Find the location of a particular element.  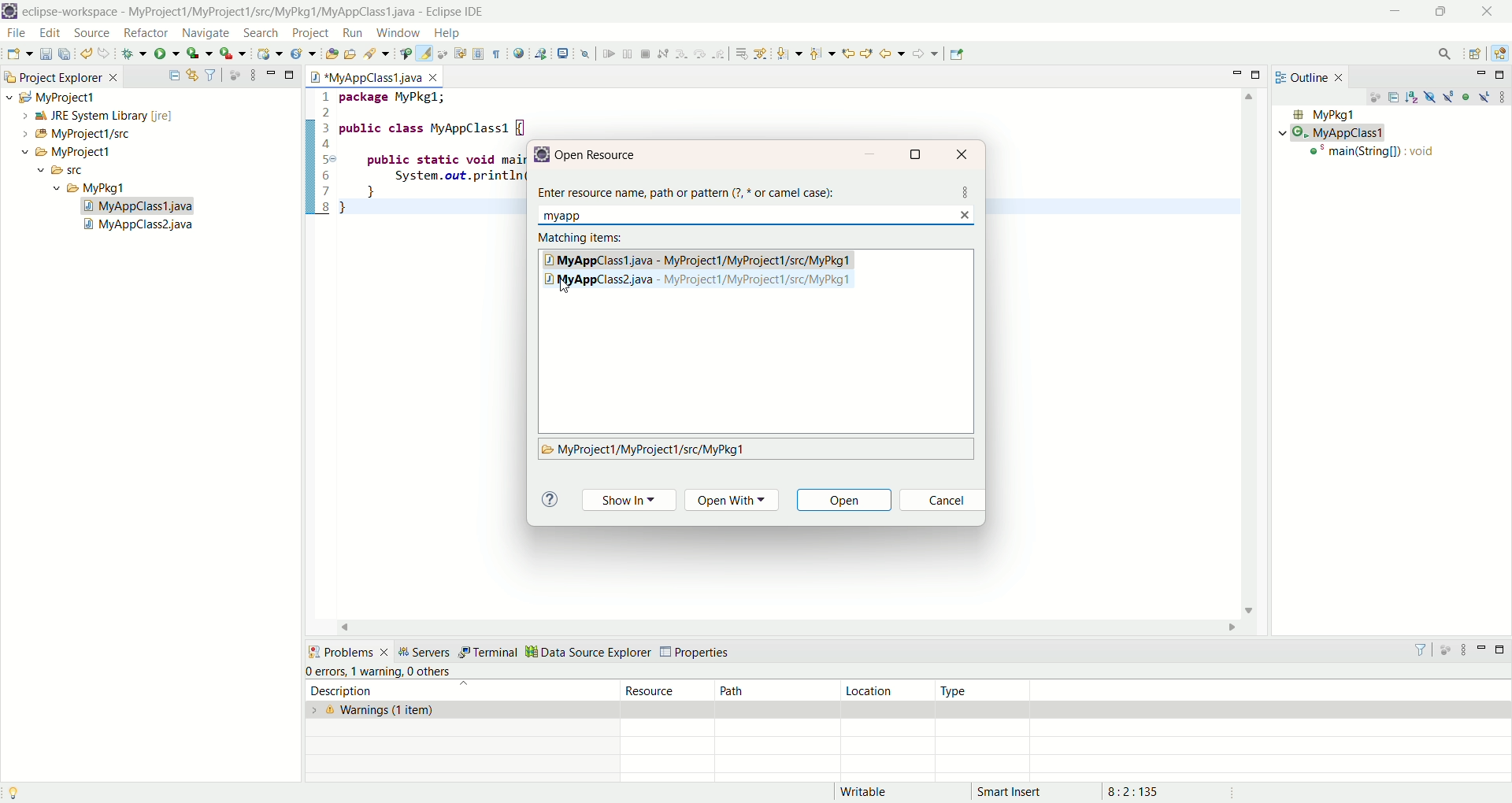

close is located at coordinates (967, 214).